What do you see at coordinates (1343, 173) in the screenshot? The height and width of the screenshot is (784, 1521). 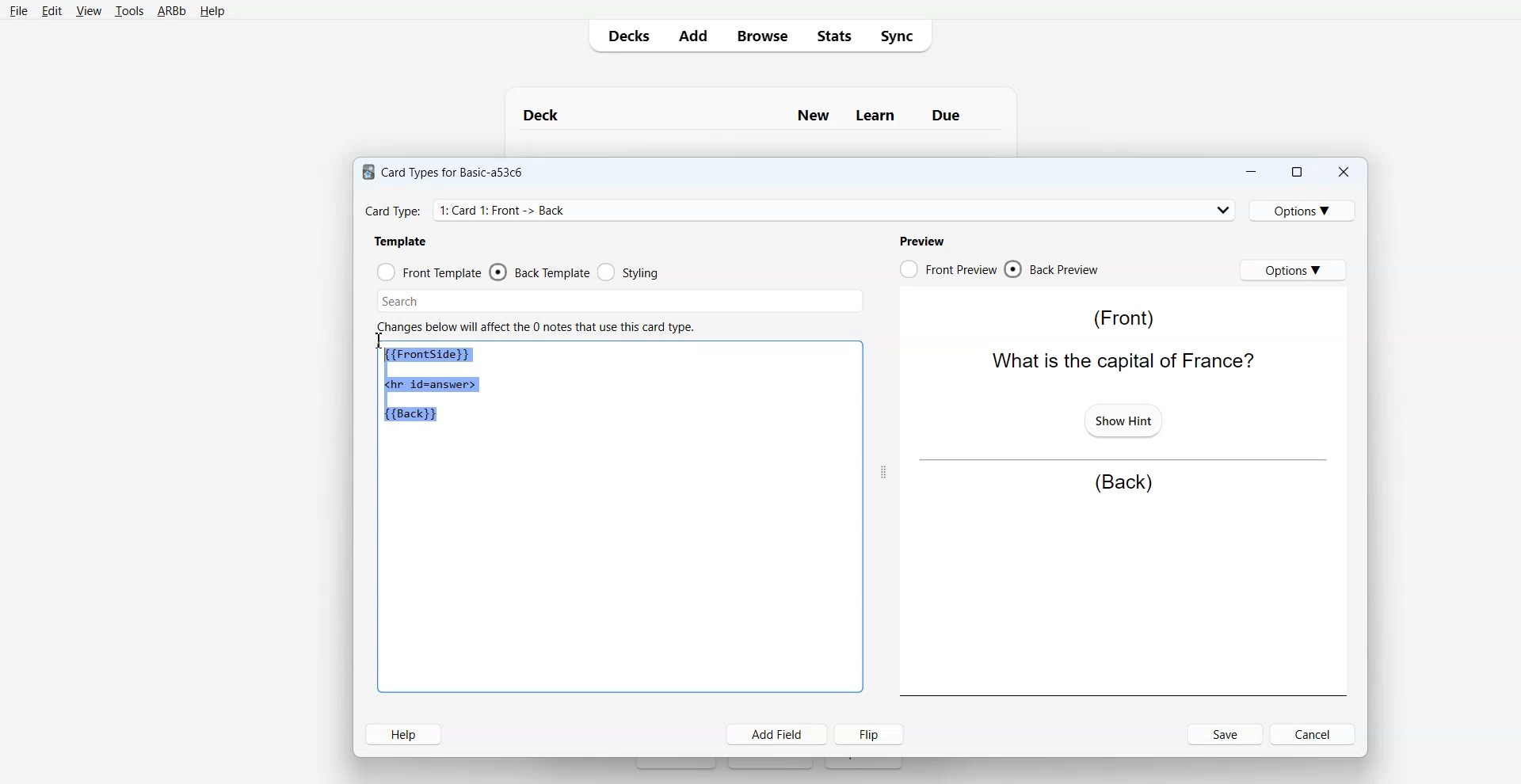 I see `Close` at bounding box center [1343, 173].